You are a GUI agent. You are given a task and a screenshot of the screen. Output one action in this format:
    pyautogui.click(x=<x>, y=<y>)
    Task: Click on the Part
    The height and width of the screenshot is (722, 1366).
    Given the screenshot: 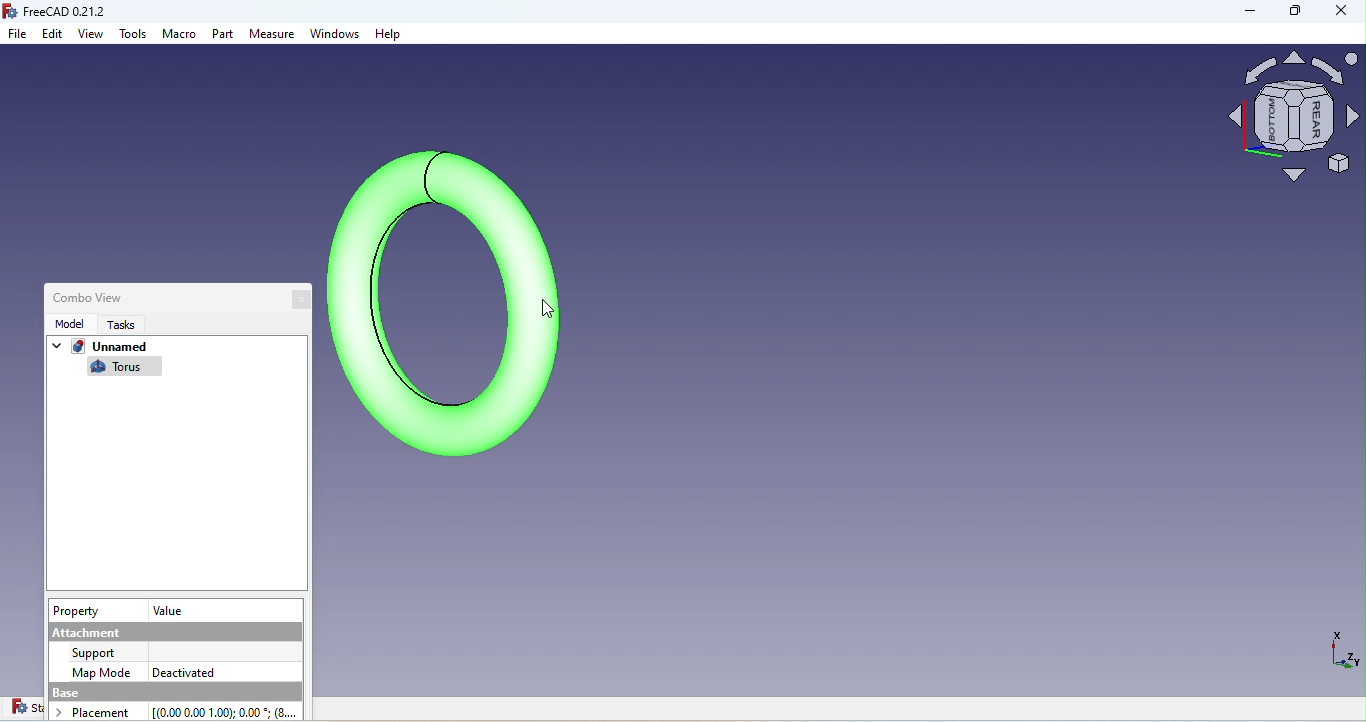 What is the action you would take?
    pyautogui.click(x=224, y=36)
    